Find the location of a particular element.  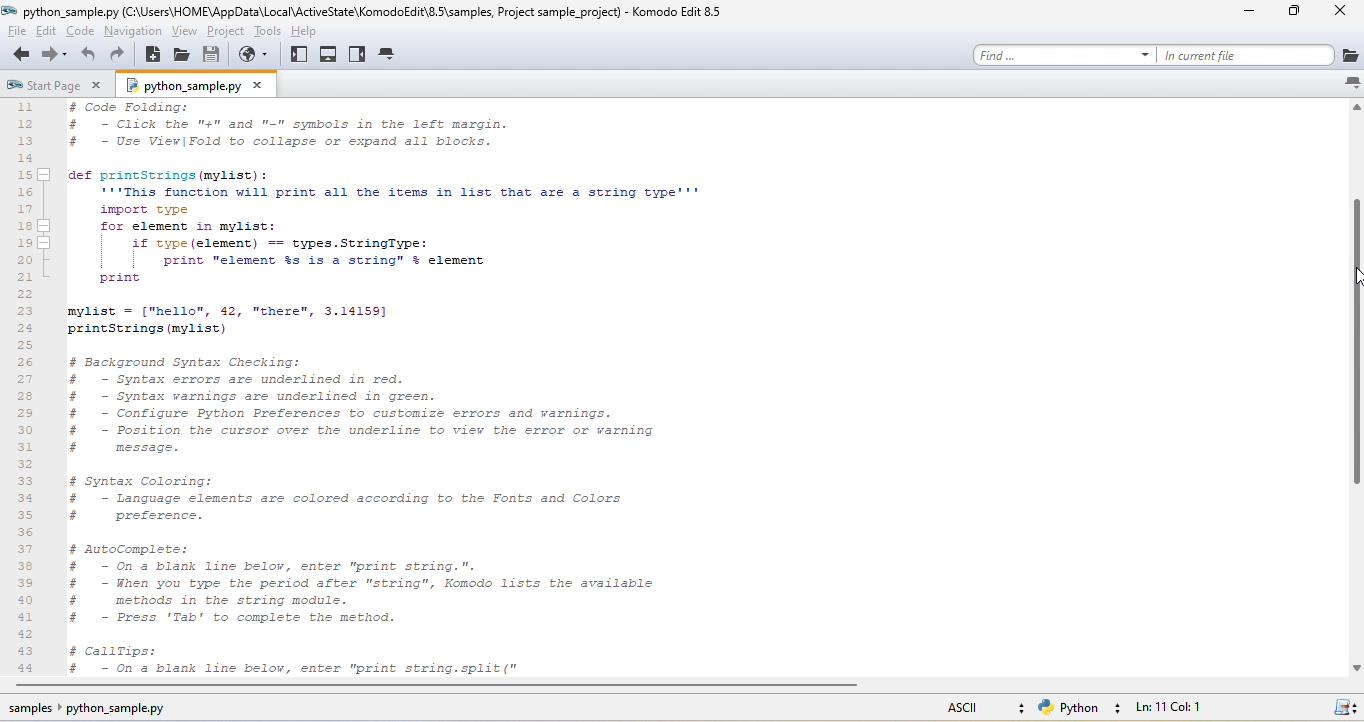

horizontal scroll bar is located at coordinates (438, 687).